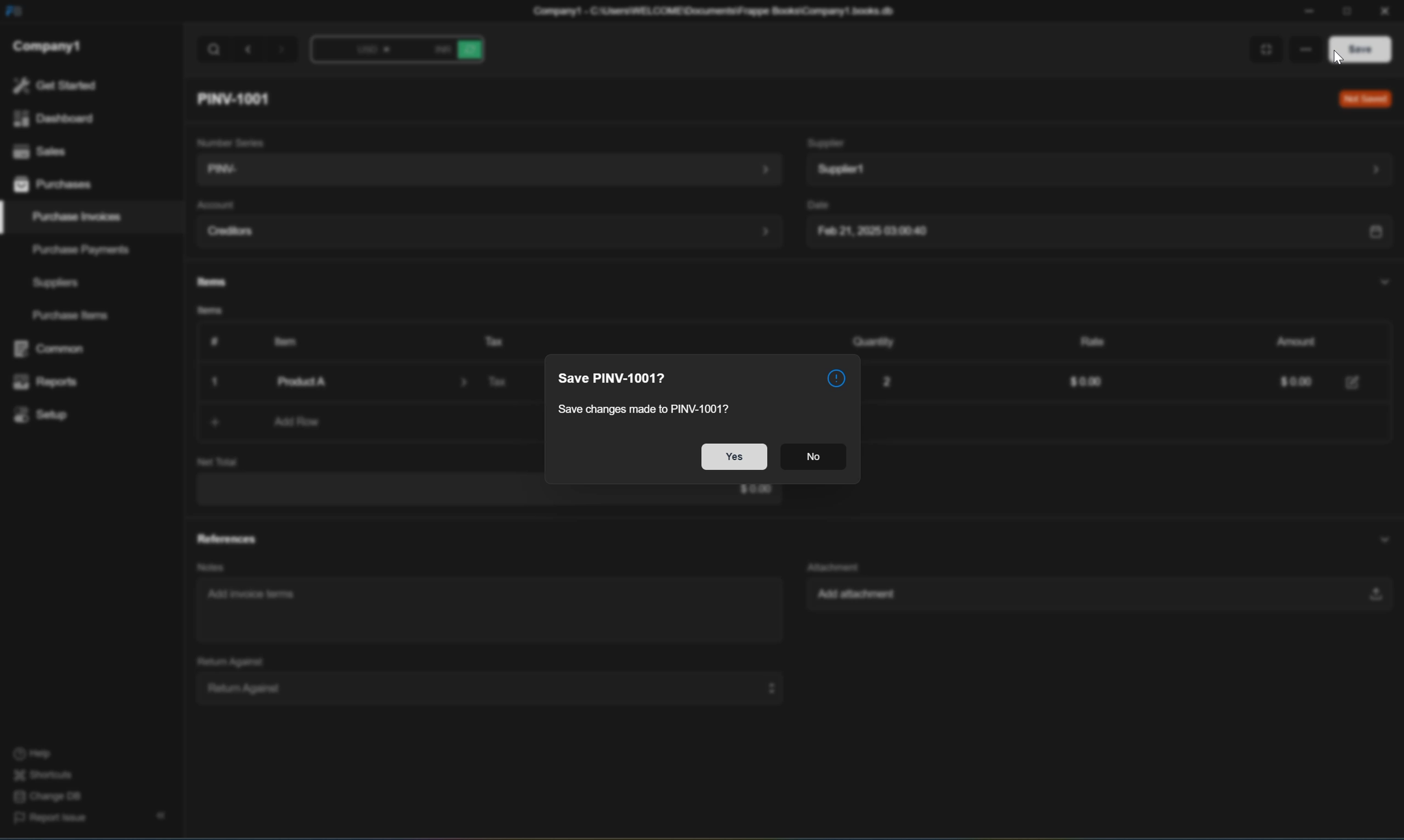 This screenshot has height=840, width=1404. What do you see at coordinates (78, 217) in the screenshot?
I see `purchase invoices` at bounding box center [78, 217].